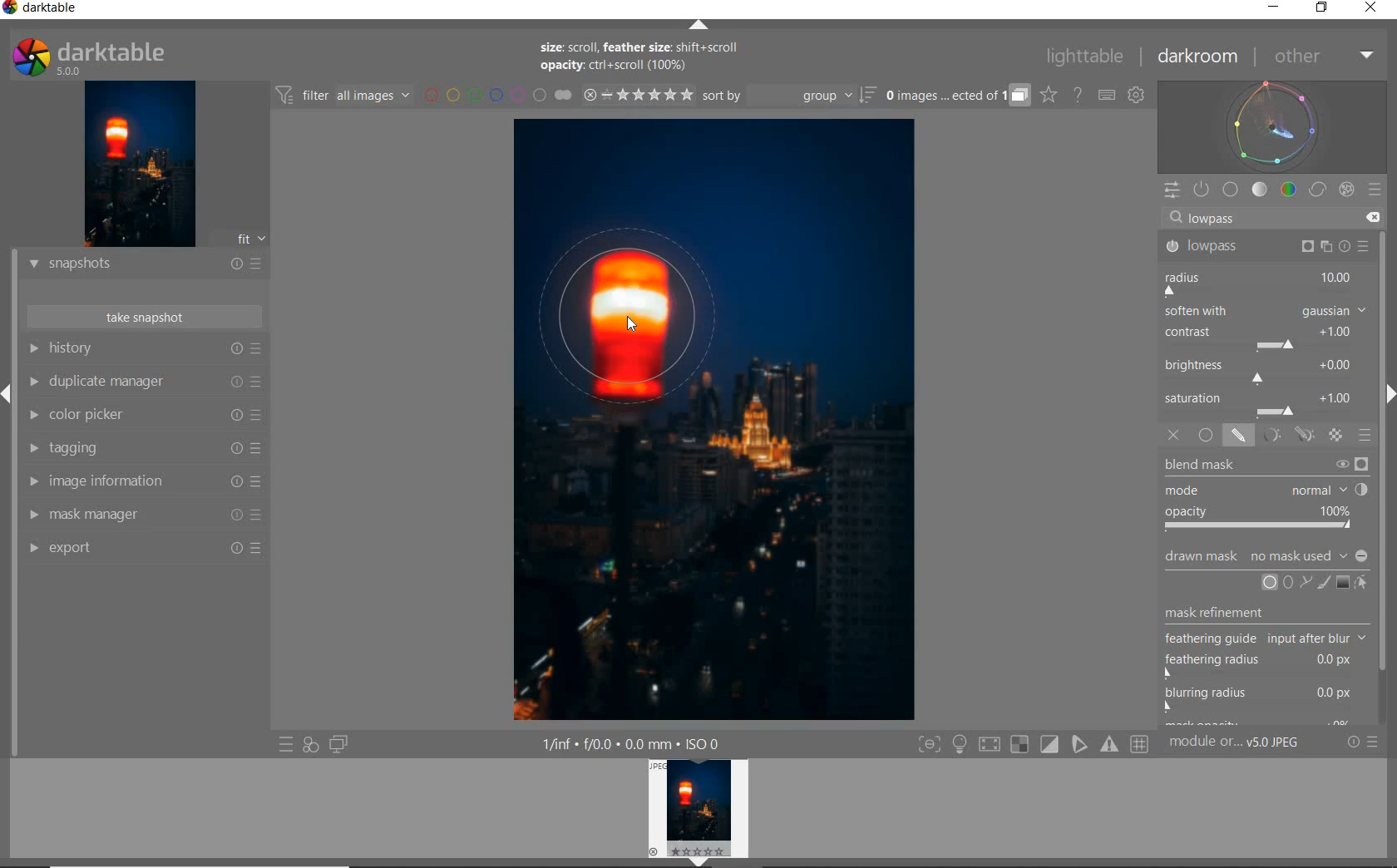  I want to click on QUICK ACCESS TO PRESET, so click(286, 747).